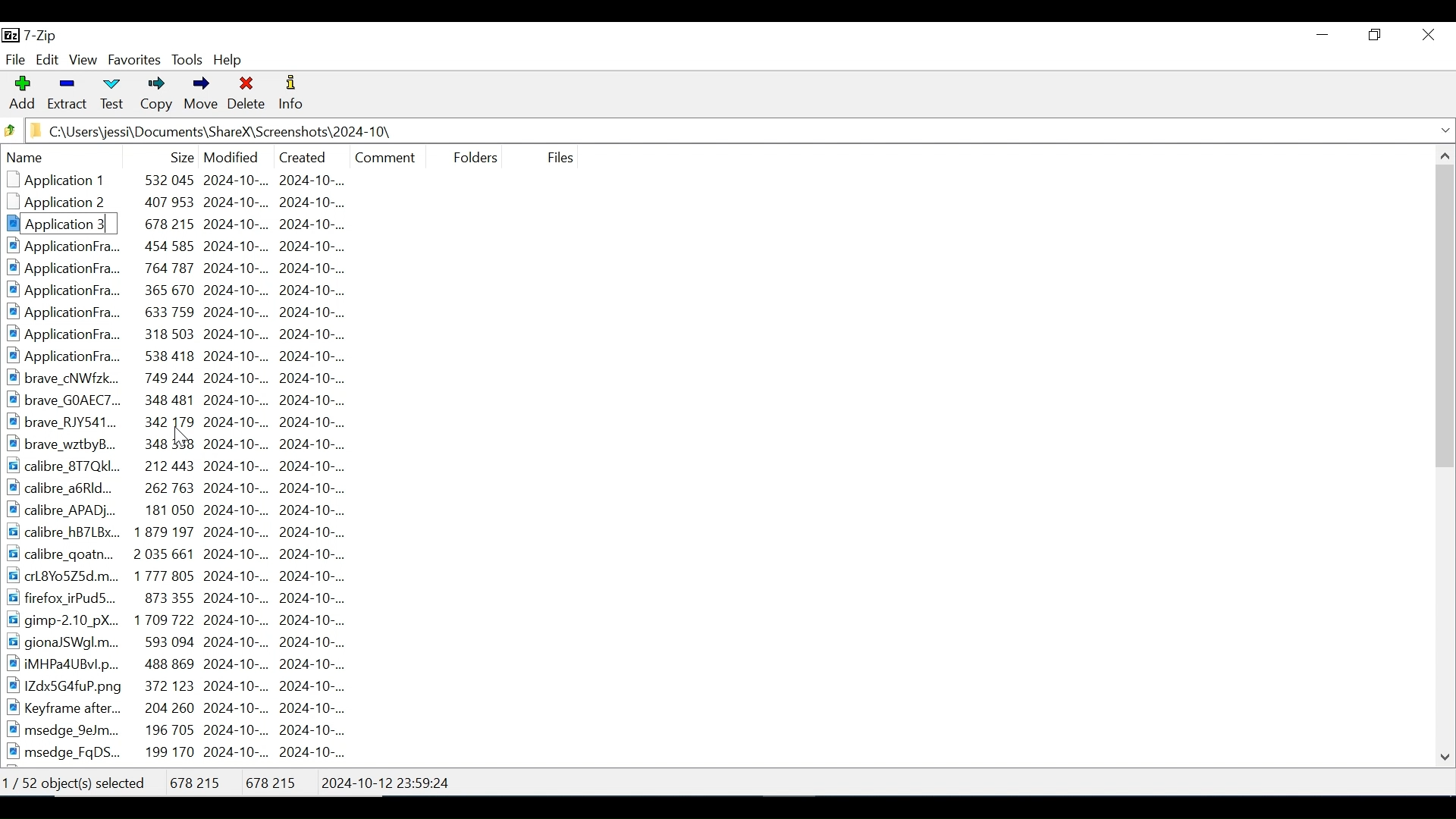 Image resolution: width=1456 pixels, height=819 pixels. Describe the element at coordinates (177, 620) in the screenshot. I see `gimp-2.10 pX.. 1709722 2024-10-.. 2024-10-` at that location.